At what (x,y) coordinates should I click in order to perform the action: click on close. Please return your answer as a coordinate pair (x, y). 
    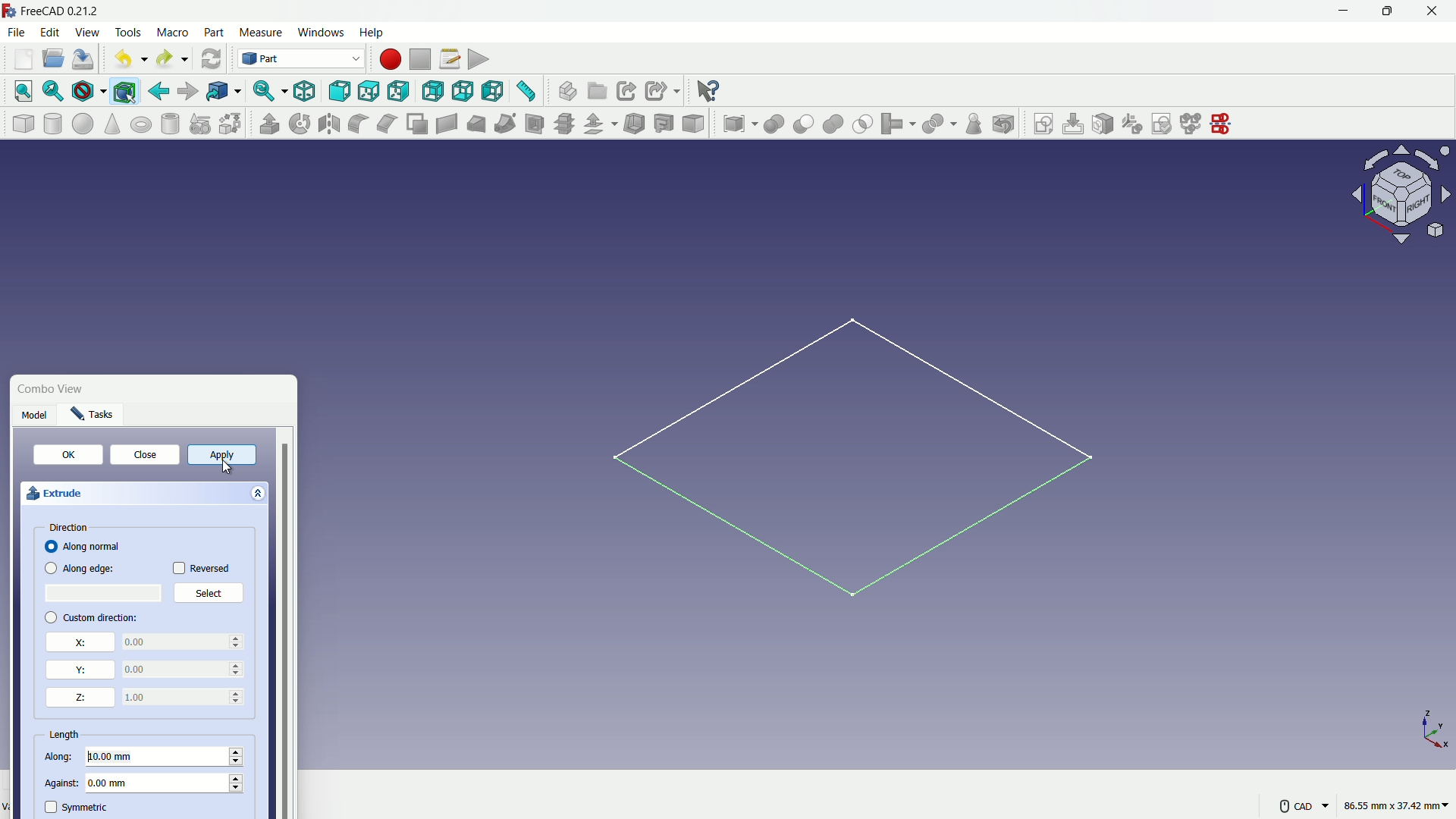
    Looking at the image, I should click on (143, 454).